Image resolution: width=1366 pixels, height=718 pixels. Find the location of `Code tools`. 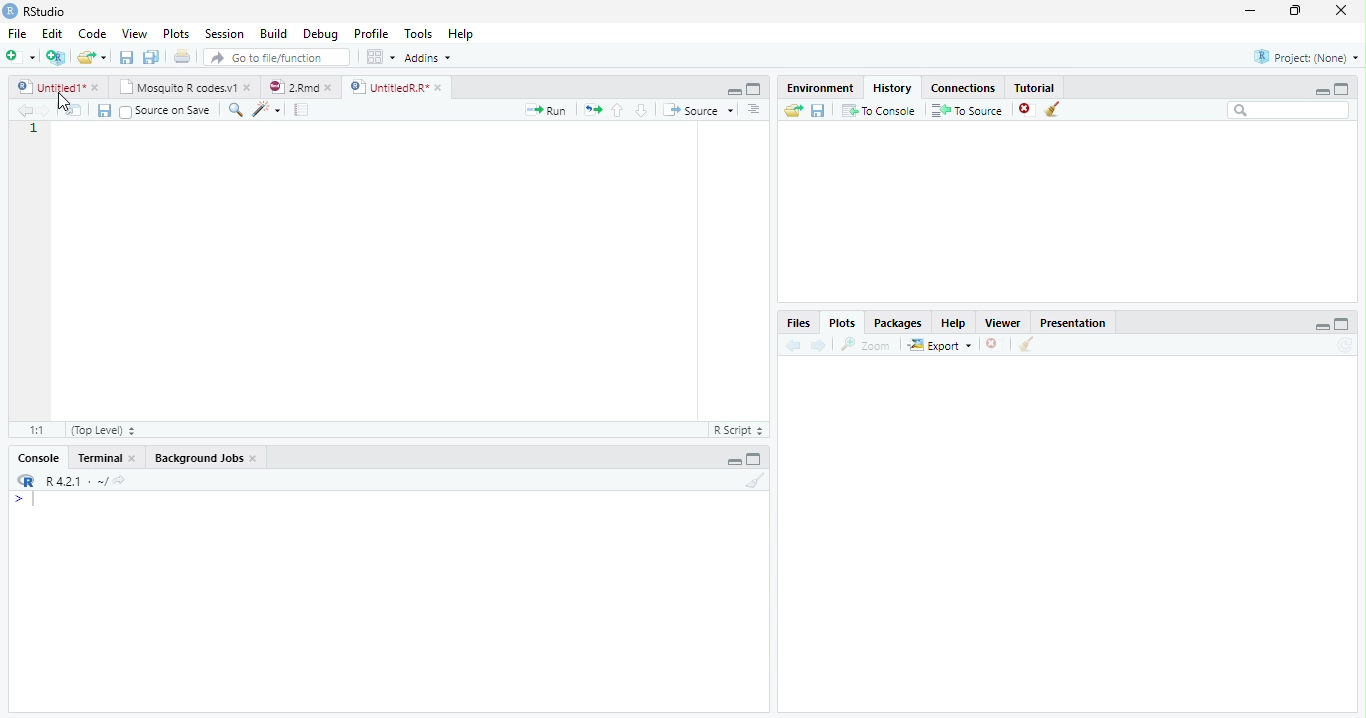

Code tools is located at coordinates (268, 110).